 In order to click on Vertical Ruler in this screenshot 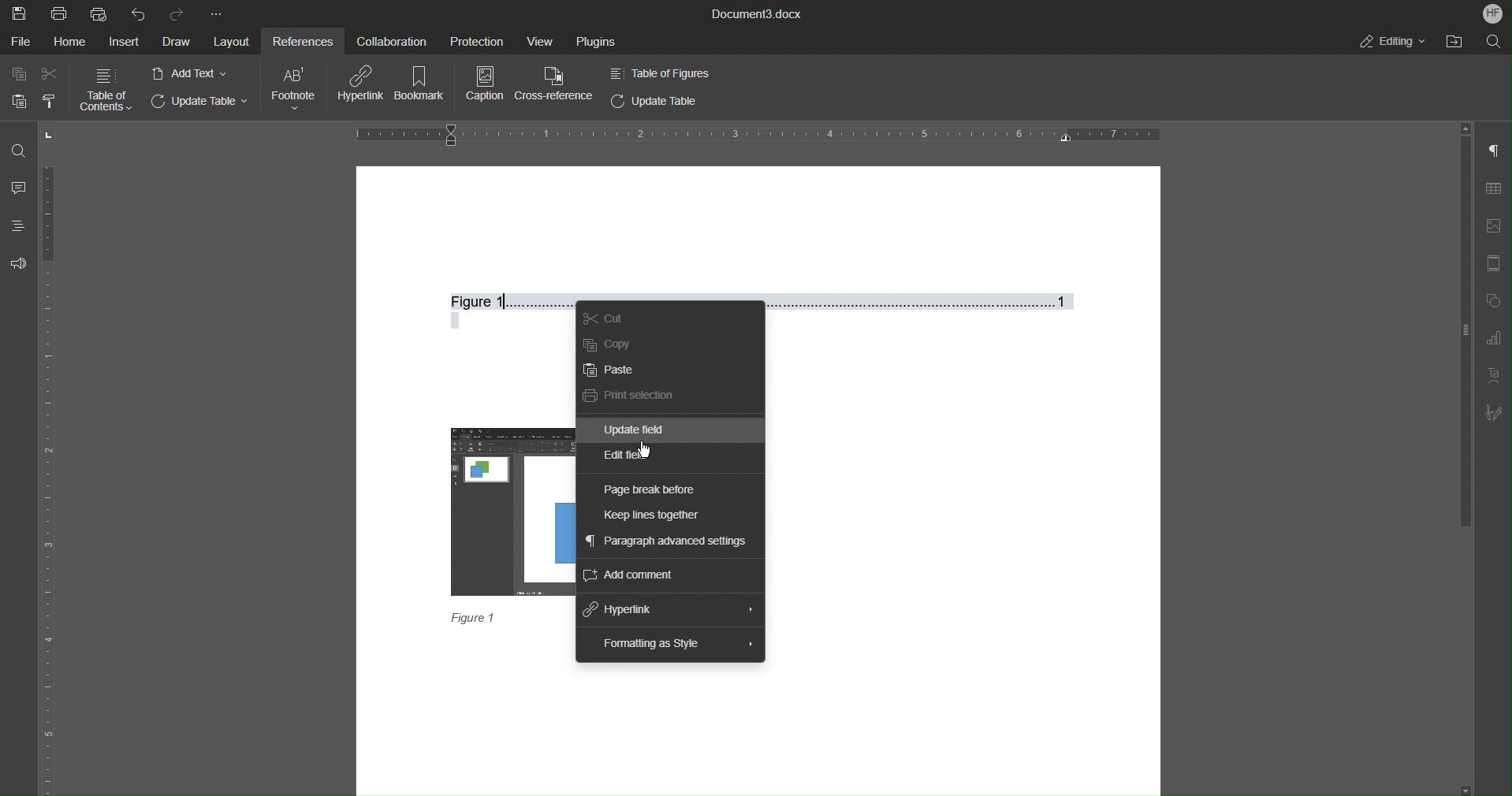, I will do `click(50, 478)`.